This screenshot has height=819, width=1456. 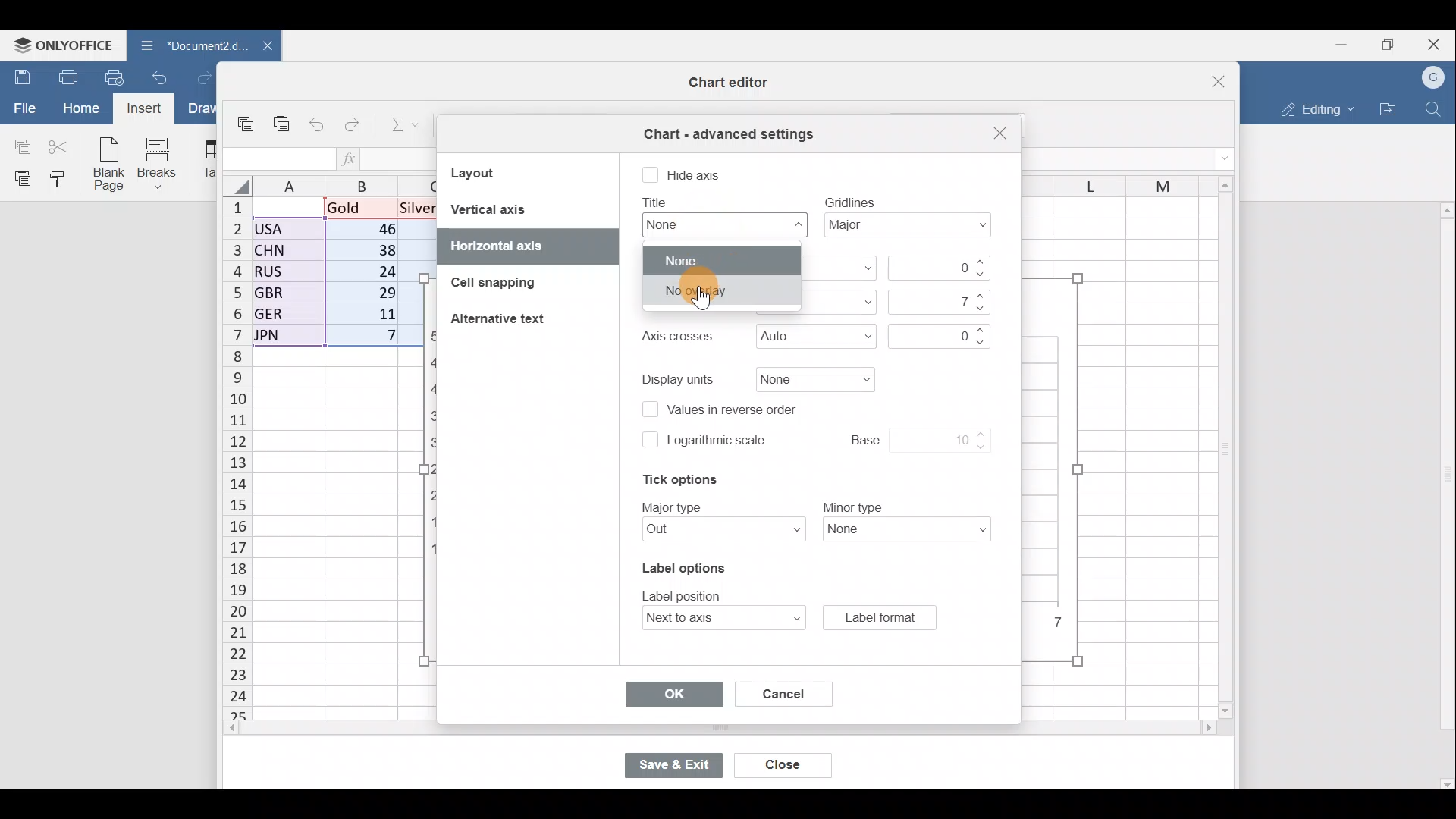 What do you see at coordinates (493, 172) in the screenshot?
I see `Layout` at bounding box center [493, 172].